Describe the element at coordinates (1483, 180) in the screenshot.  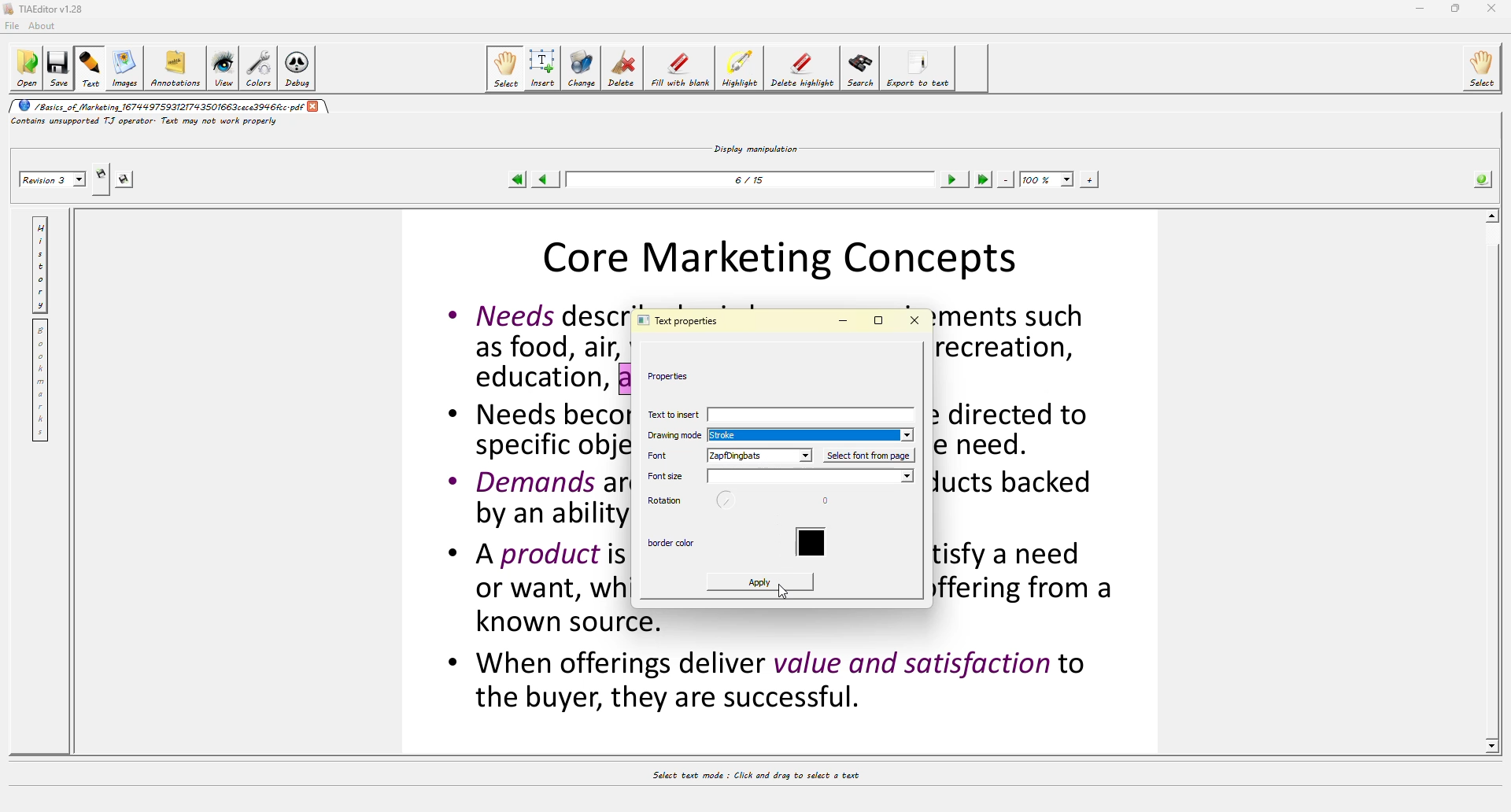
I see `info` at that location.